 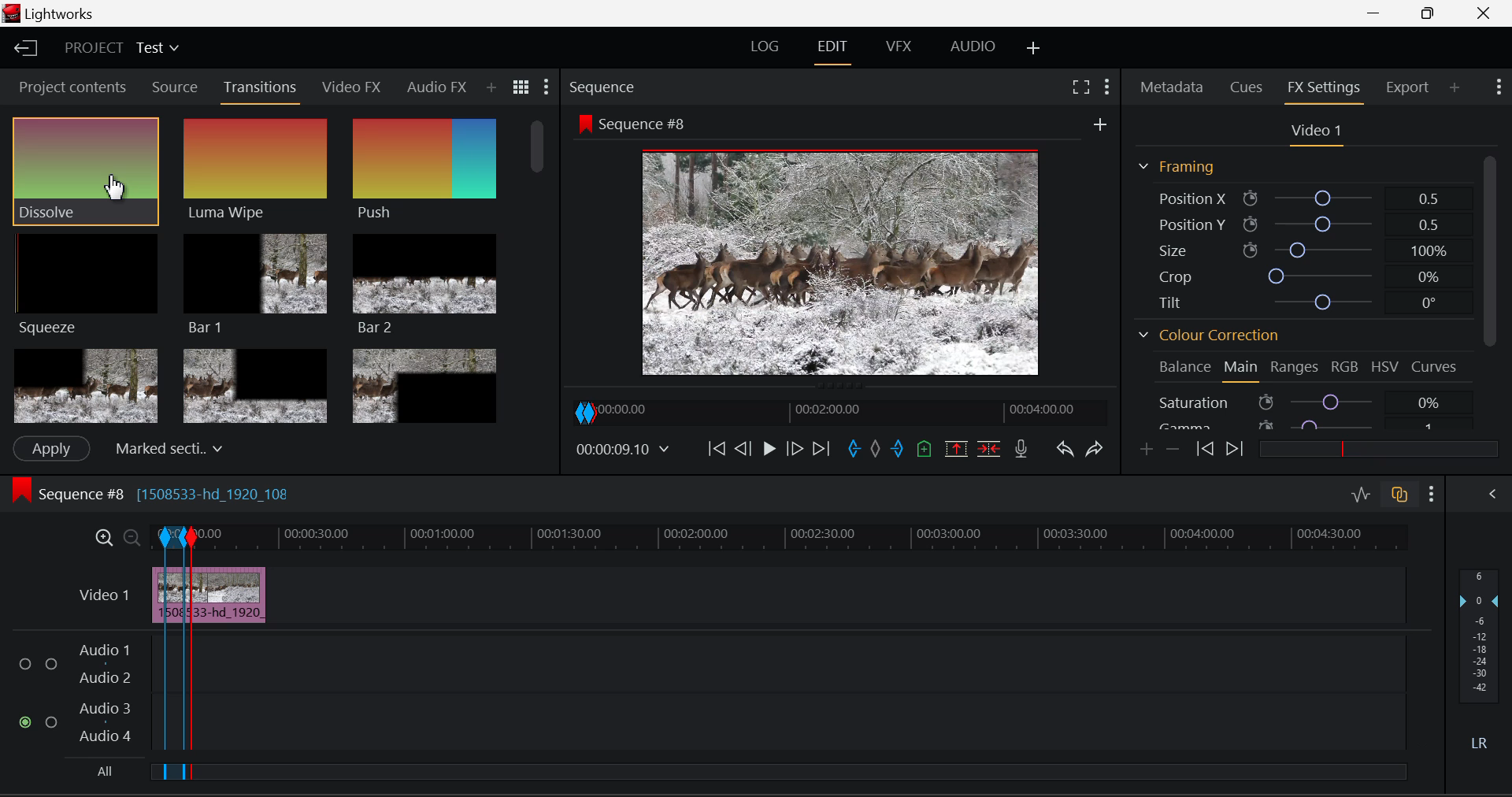 I want to click on Centered here, so click(x=165, y=447).